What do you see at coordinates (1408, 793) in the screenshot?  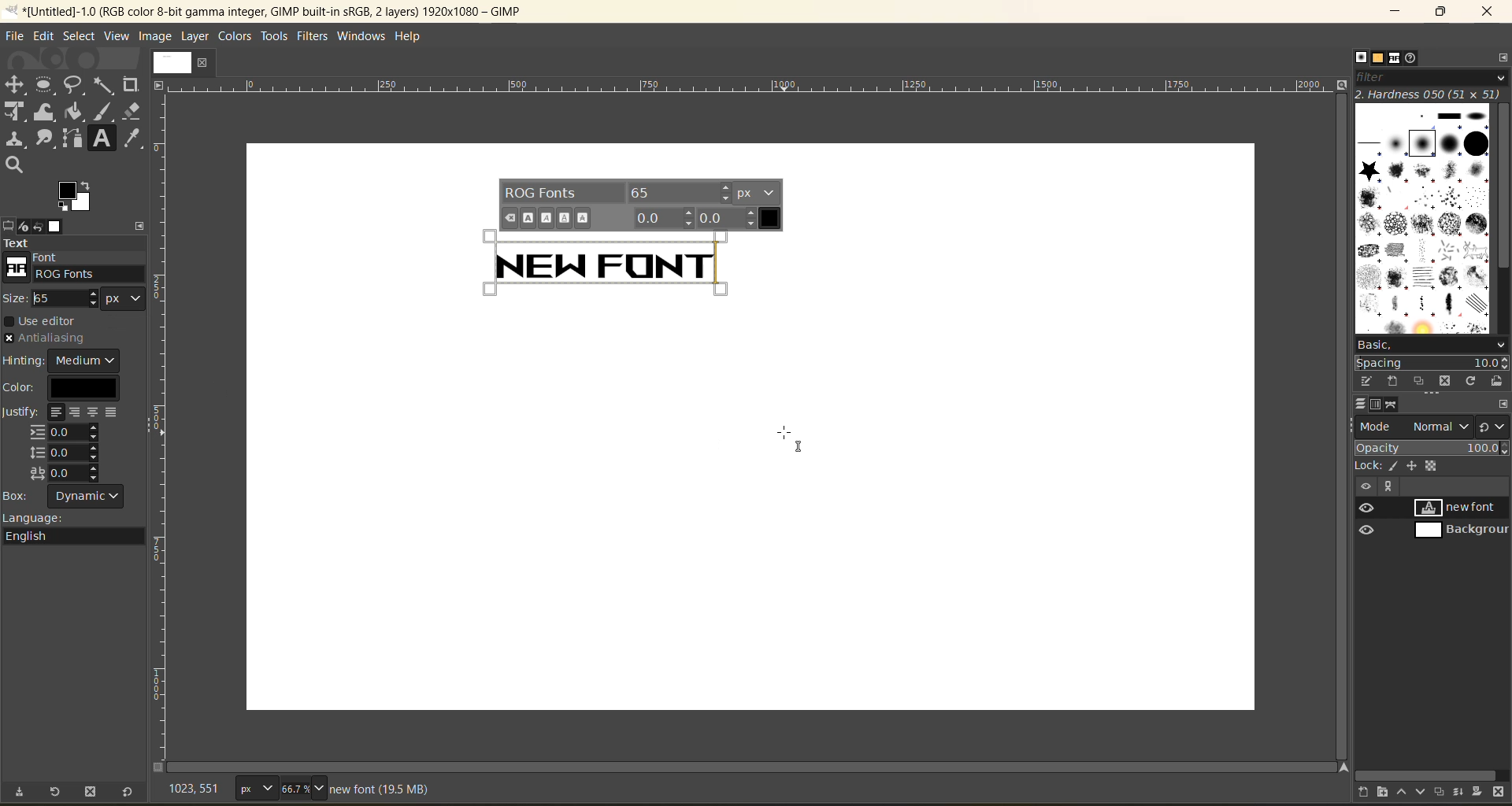 I see `raise this layer` at bounding box center [1408, 793].